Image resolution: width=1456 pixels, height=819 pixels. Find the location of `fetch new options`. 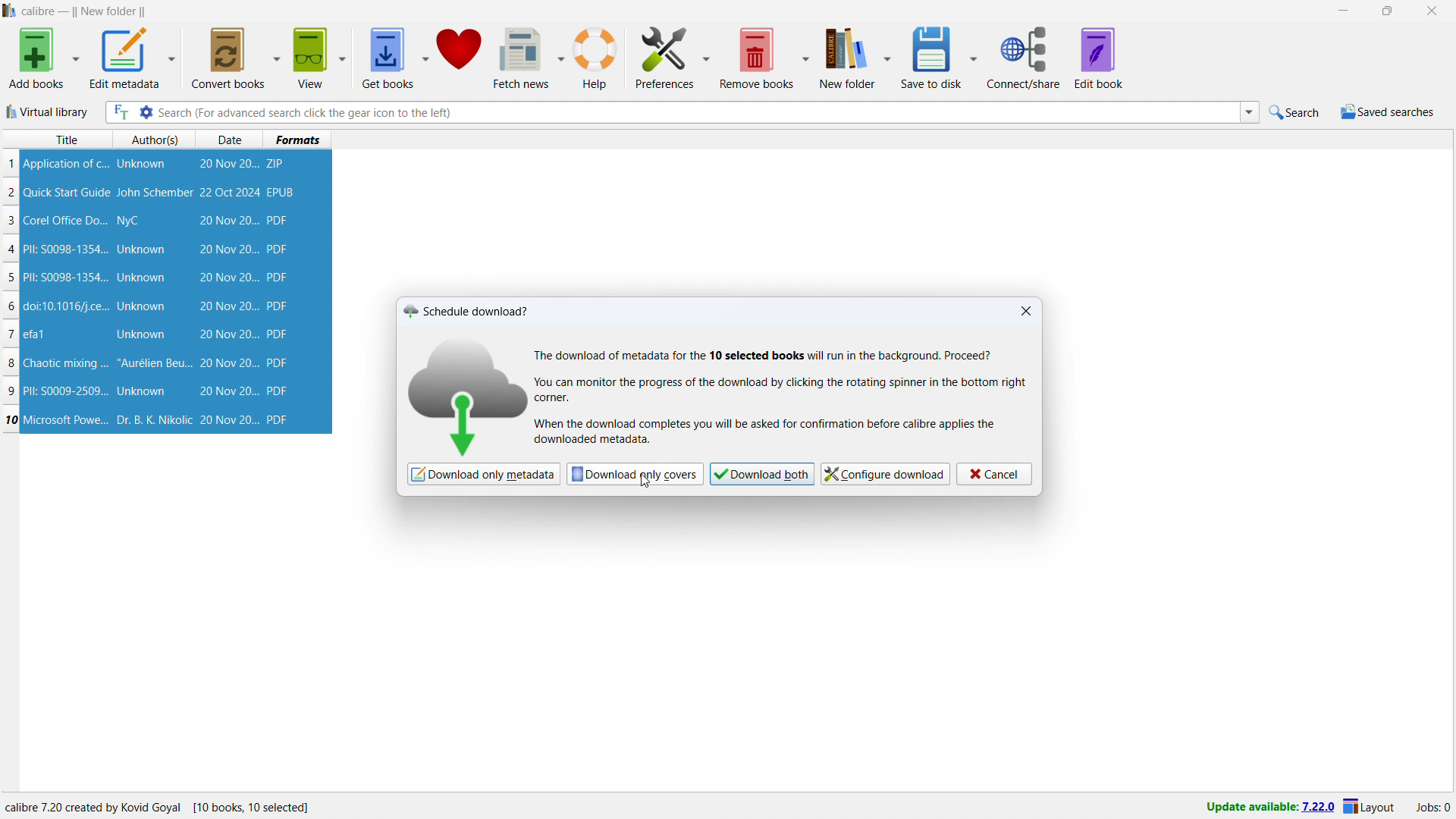

fetch new options is located at coordinates (560, 56).